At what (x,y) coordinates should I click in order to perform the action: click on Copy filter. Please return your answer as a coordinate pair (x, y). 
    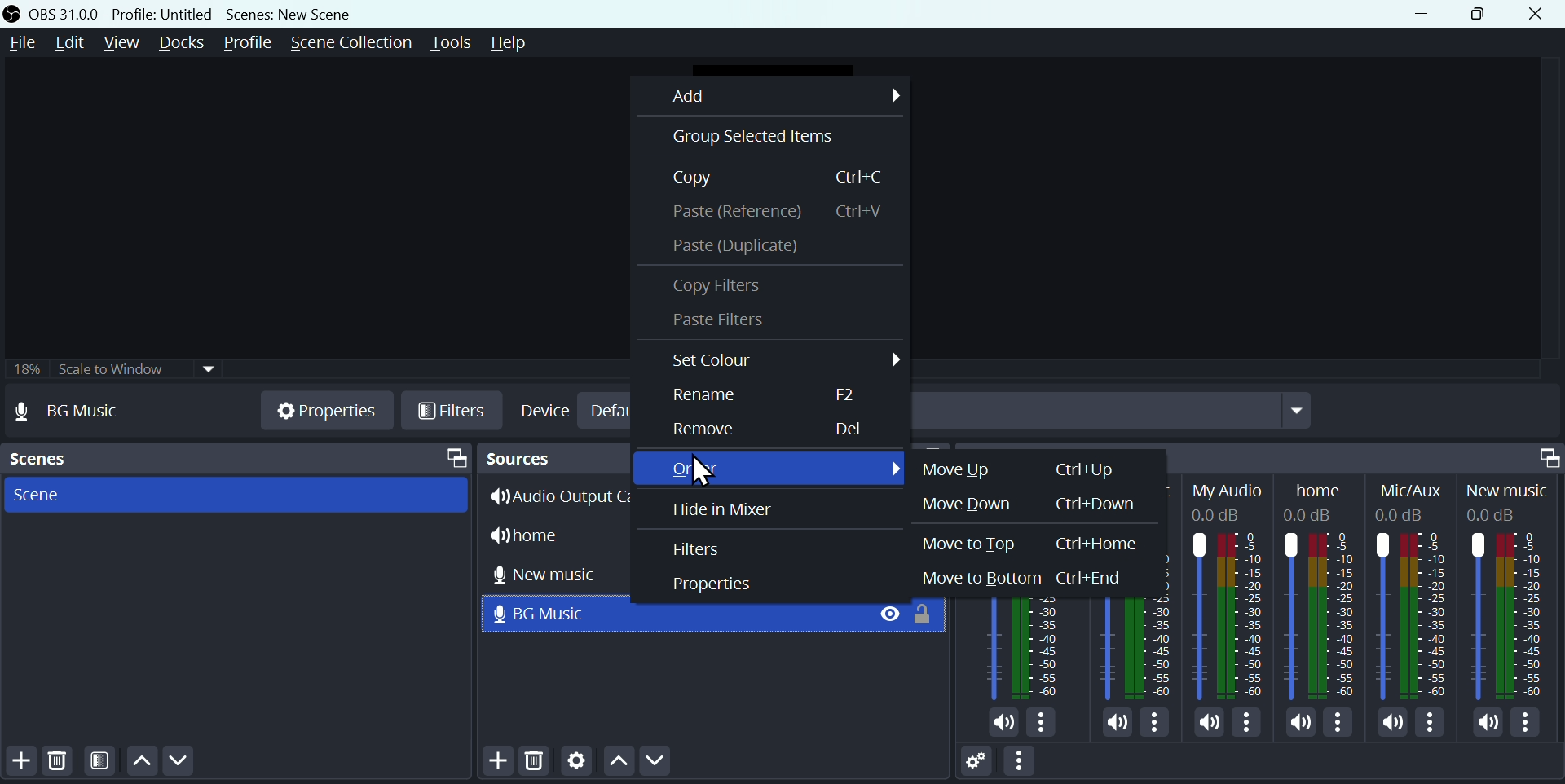
    Looking at the image, I should click on (719, 283).